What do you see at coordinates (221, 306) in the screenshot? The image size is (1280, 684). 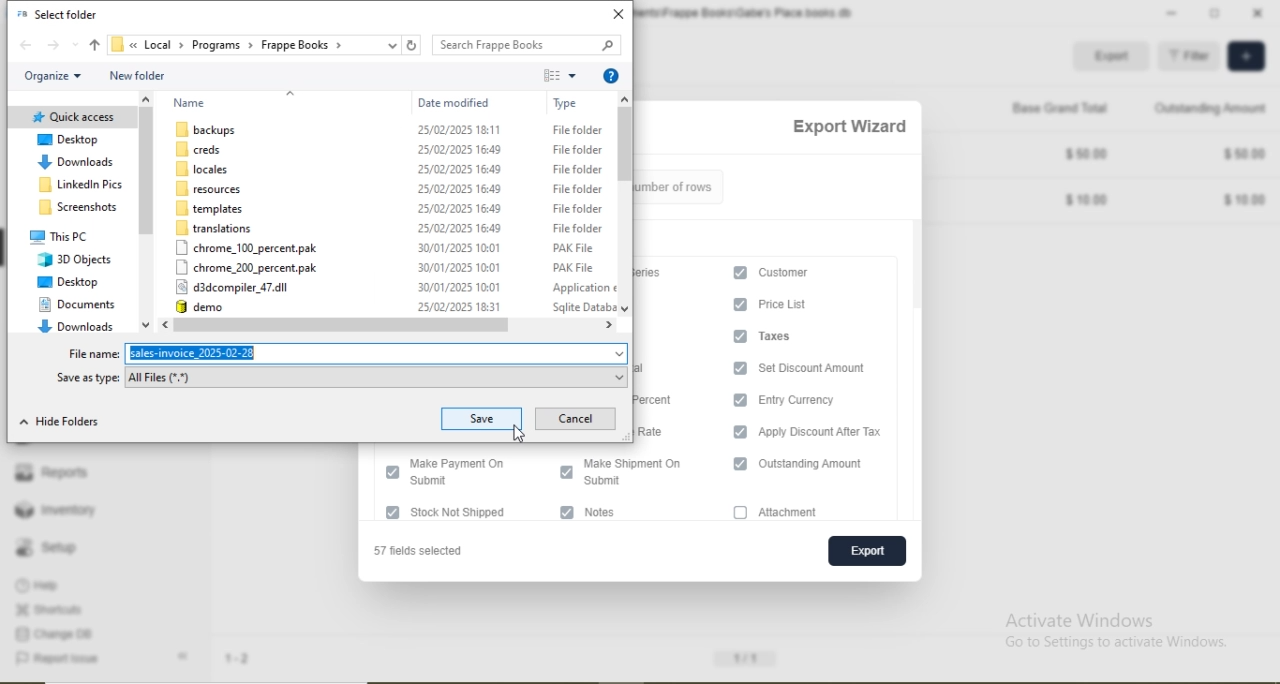 I see `3 demo` at bounding box center [221, 306].